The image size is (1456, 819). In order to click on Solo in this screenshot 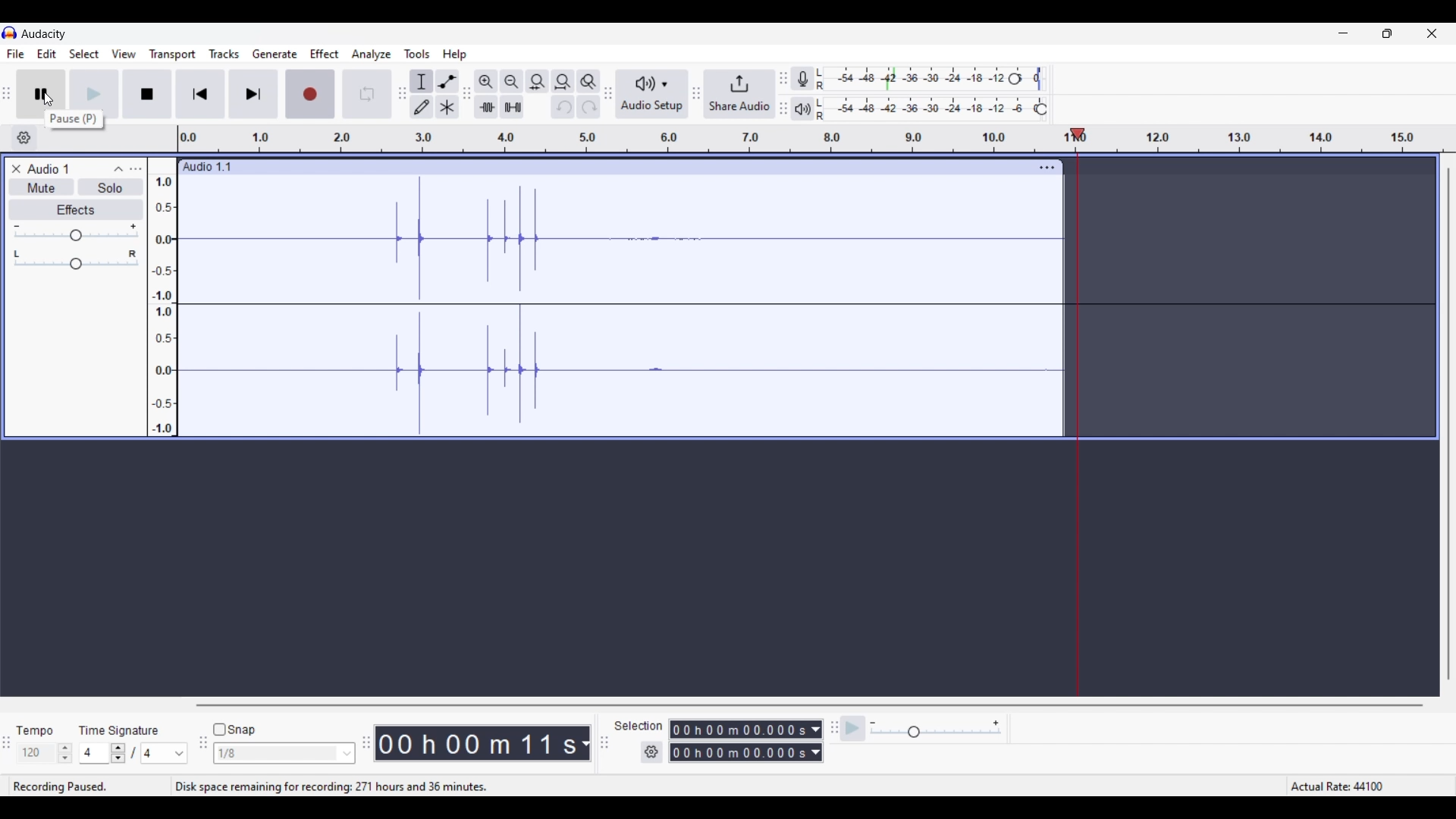, I will do `click(111, 187)`.